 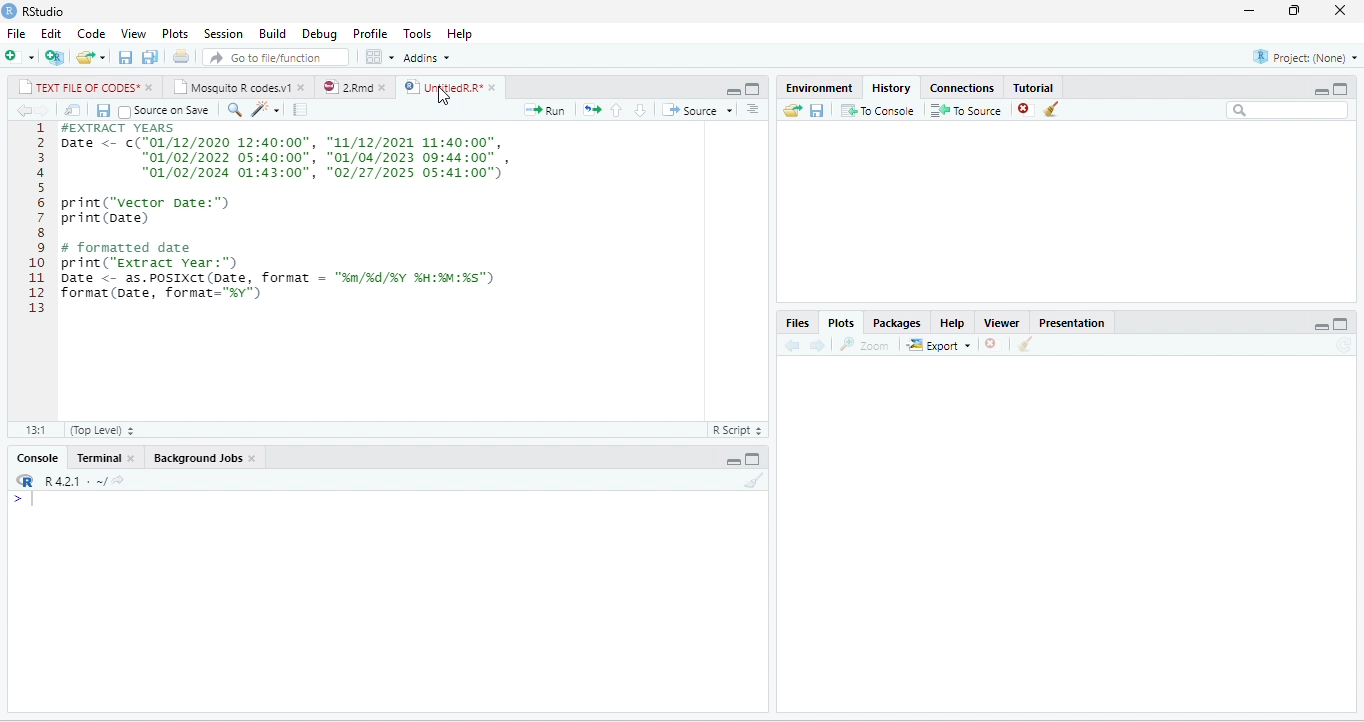 What do you see at coordinates (898, 323) in the screenshot?
I see `Packages` at bounding box center [898, 323].